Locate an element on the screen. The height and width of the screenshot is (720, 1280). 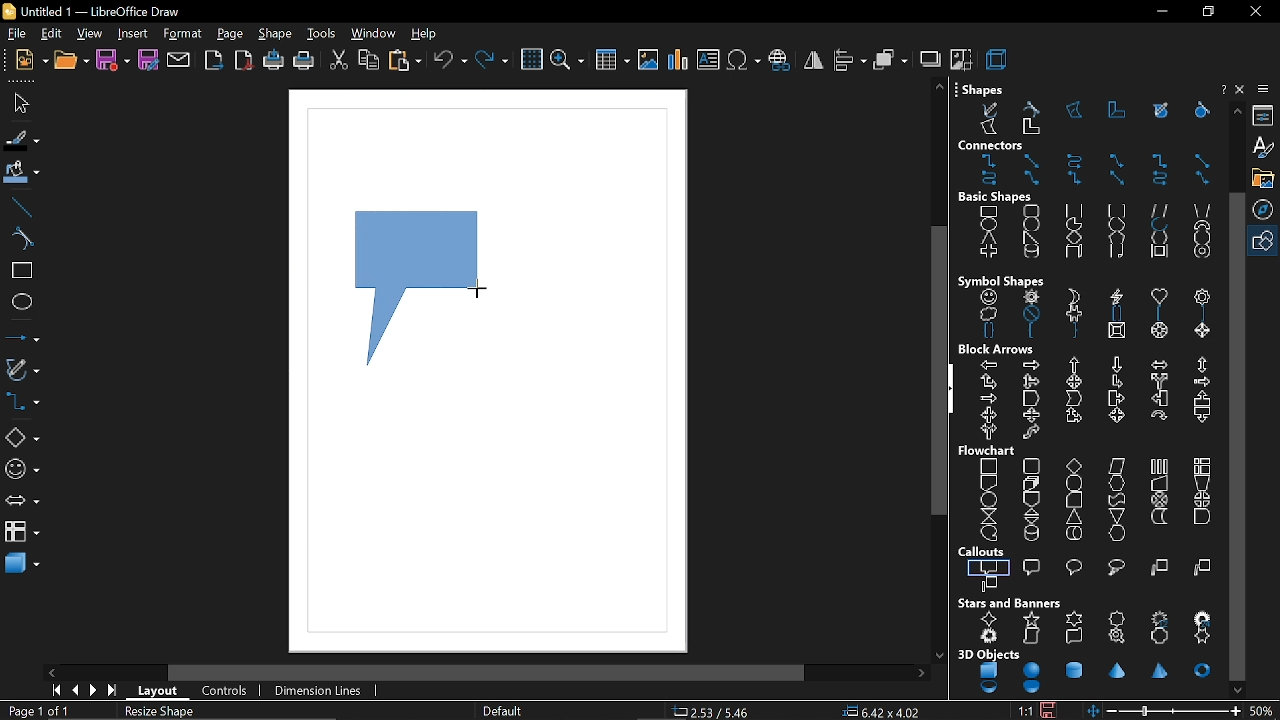
data is located at coordinates (1117, 467).